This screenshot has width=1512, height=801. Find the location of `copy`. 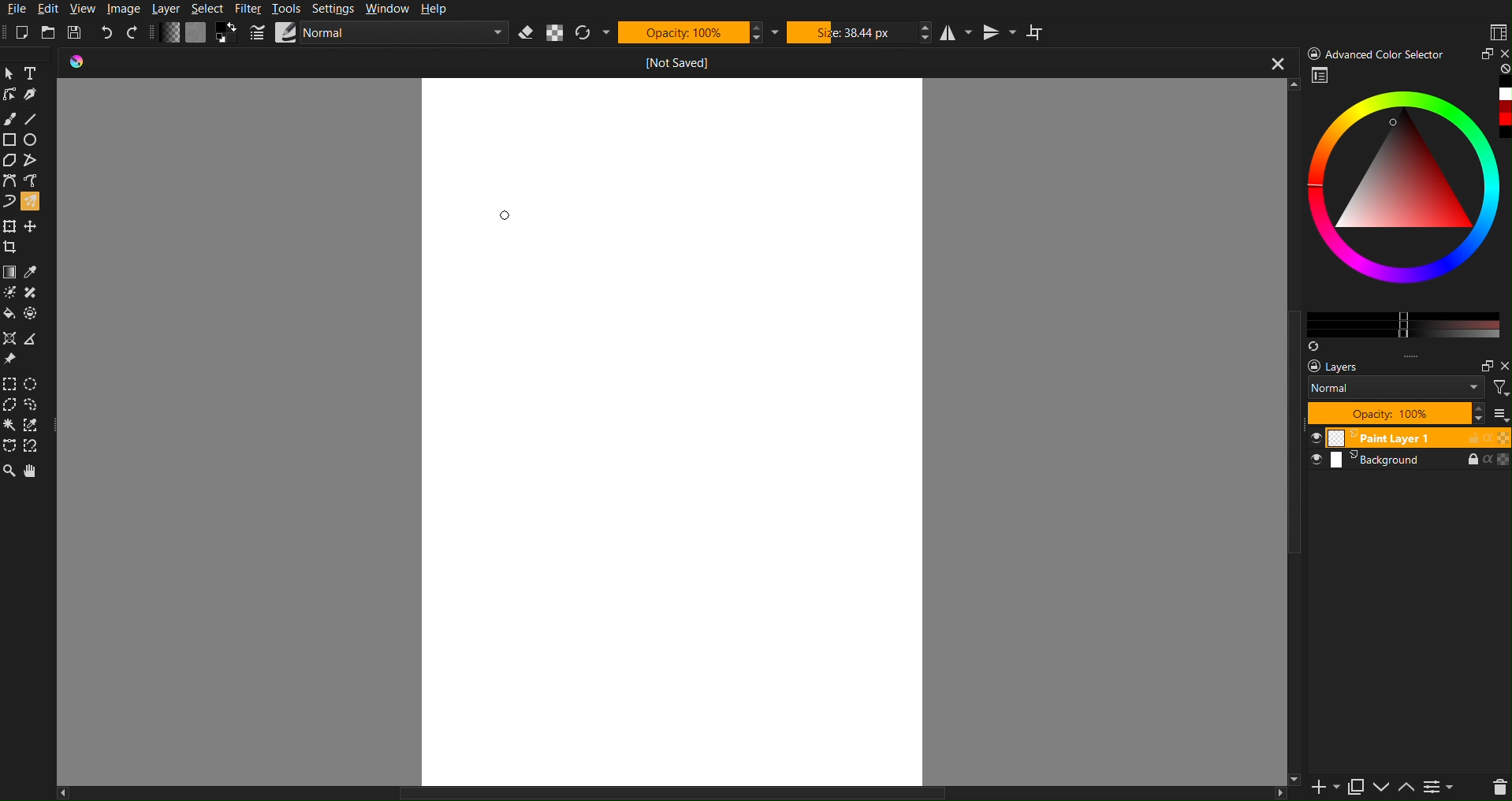

copy is located at coordinates (1355, 787).